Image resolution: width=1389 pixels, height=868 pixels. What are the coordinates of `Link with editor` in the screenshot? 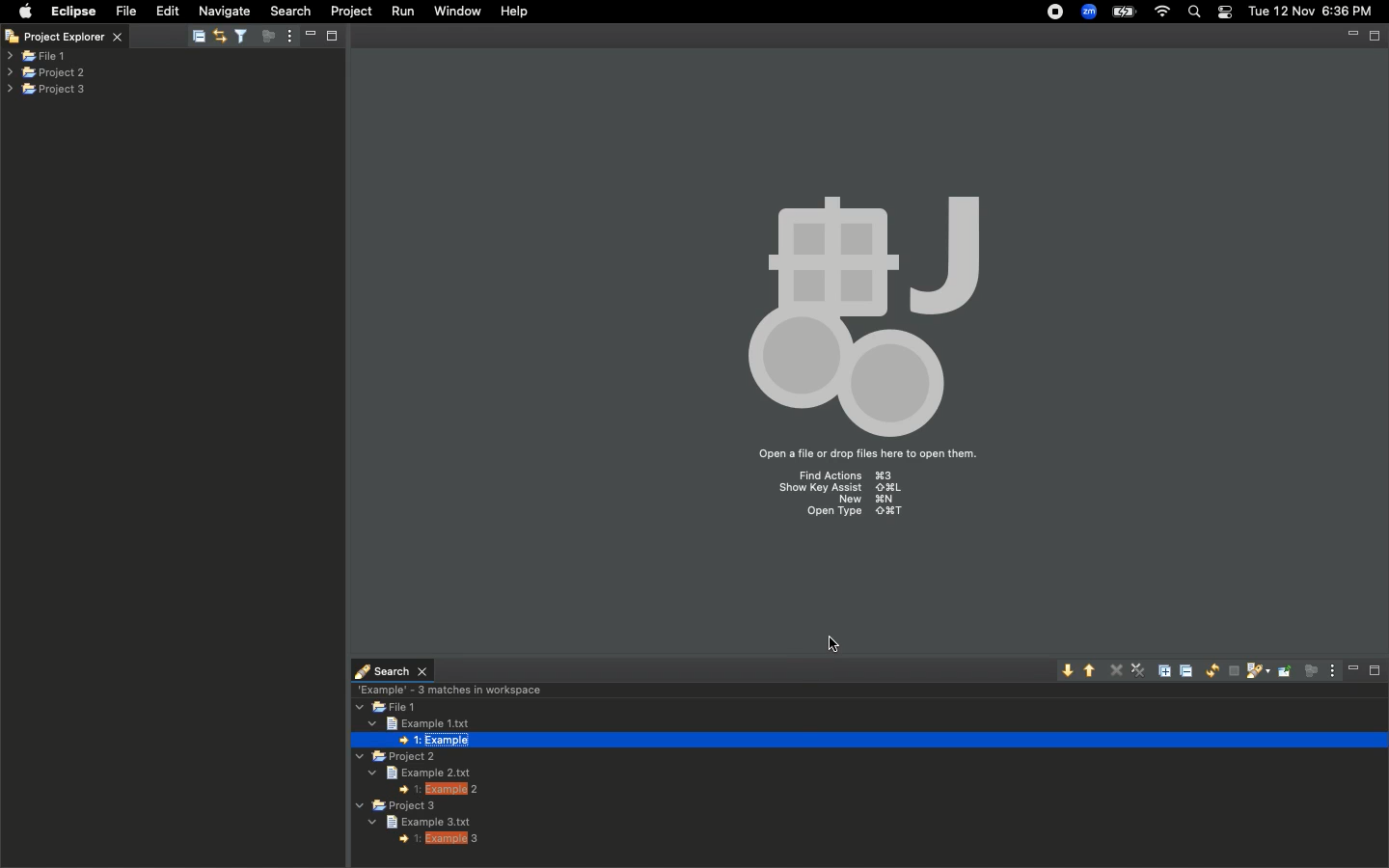 It's located at (218, 34).